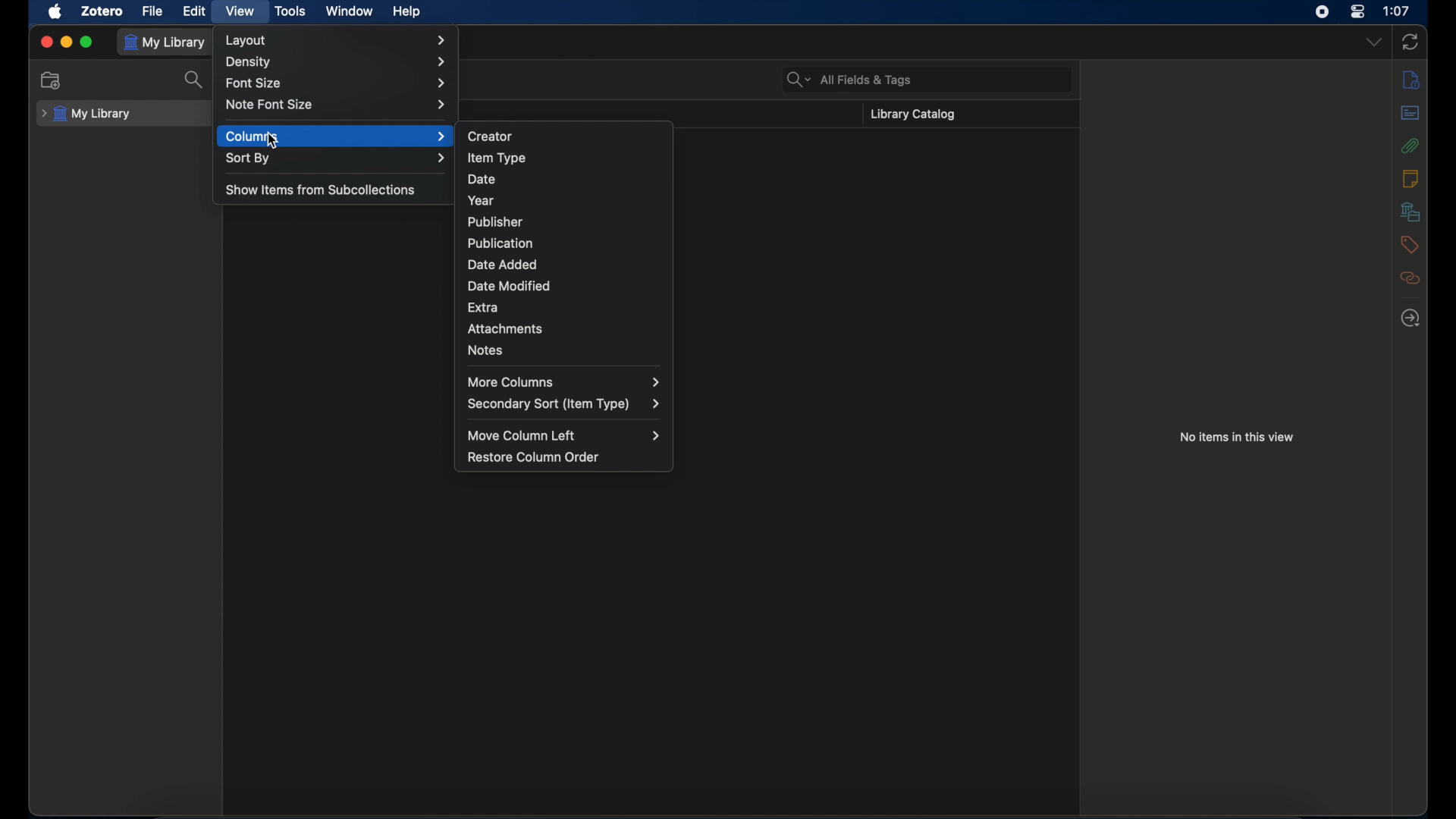 The image size is (1456, 819). Describe the element at coordinates (55, 12) in the screenshot. I see `apple` at that location.